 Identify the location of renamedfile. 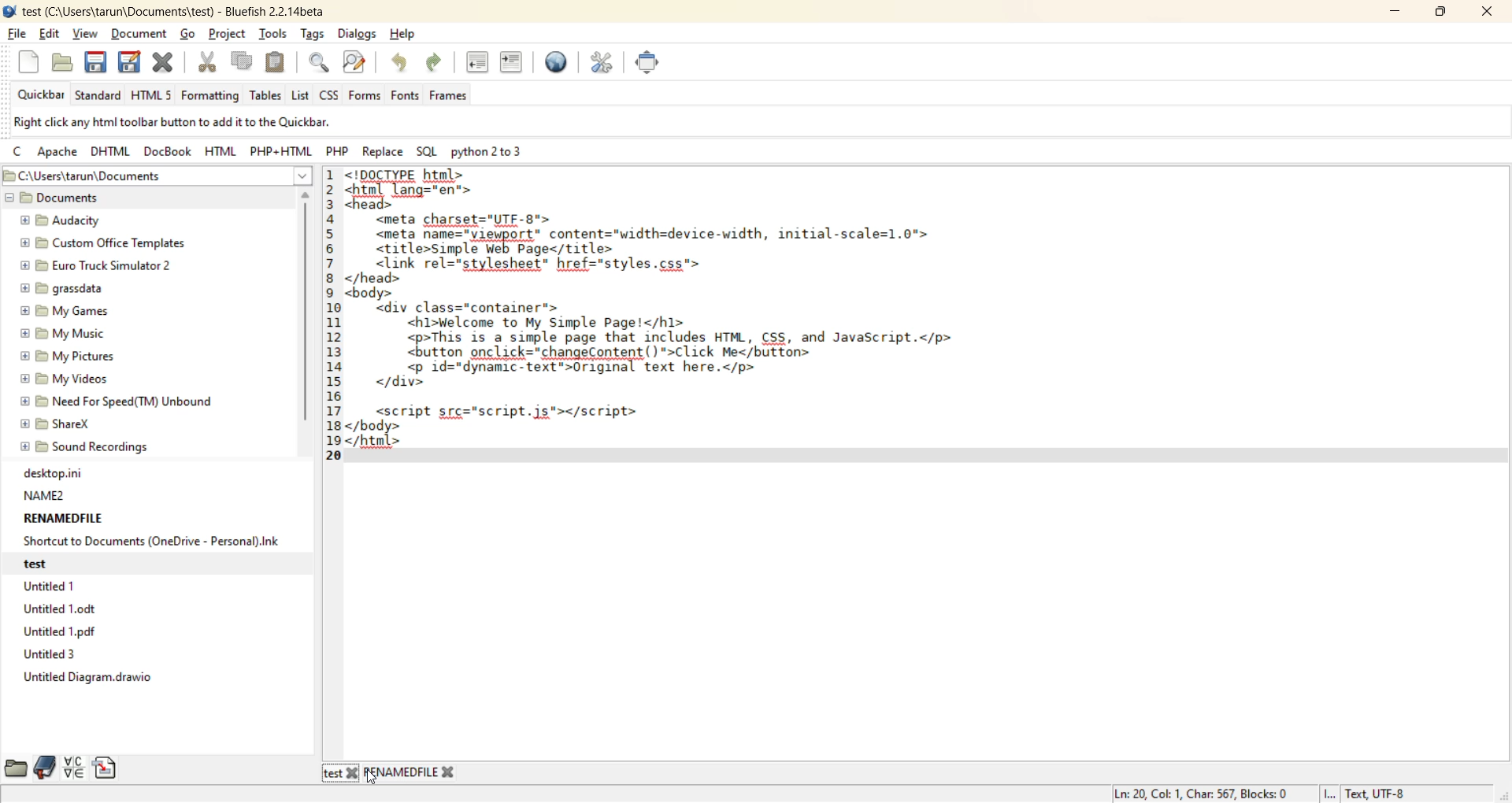
(402, 771).